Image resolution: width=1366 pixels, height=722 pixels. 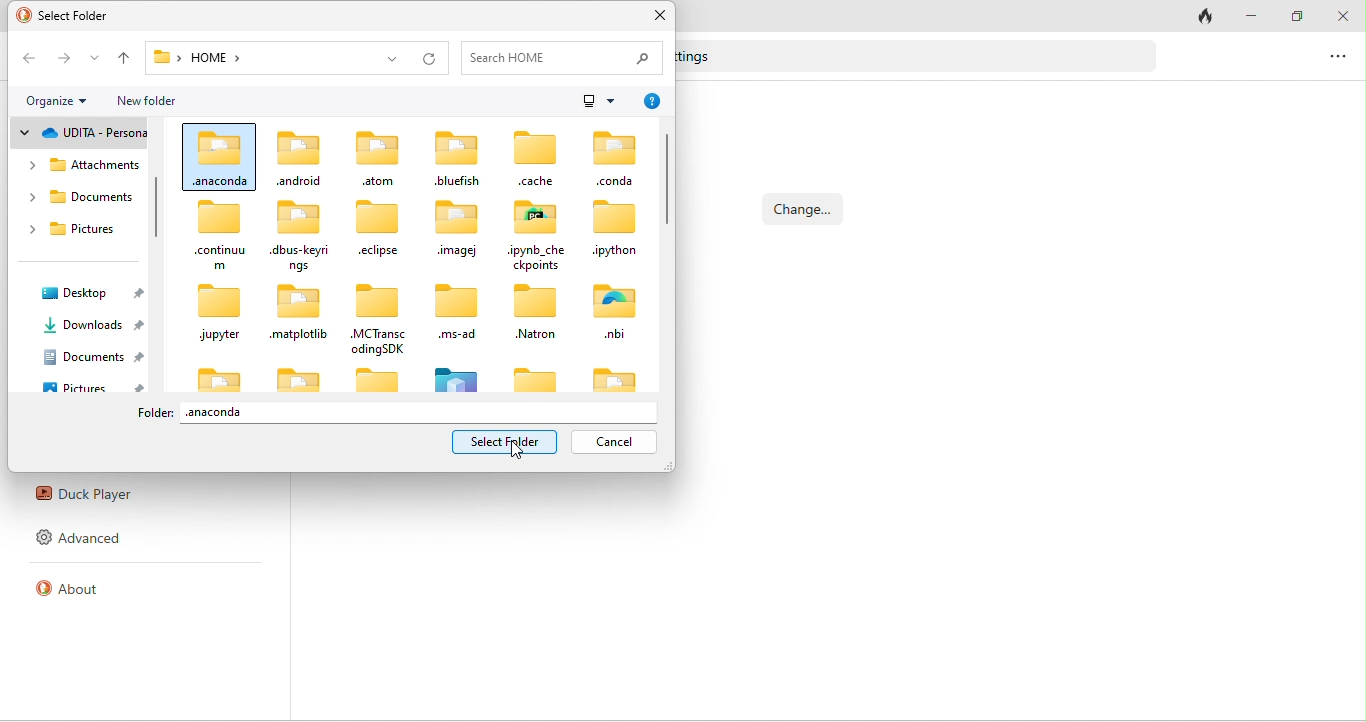 What do you see at coordinates (1252, 15) in the screenshot?
I see `minimize` at bounding box center [1252, 15].